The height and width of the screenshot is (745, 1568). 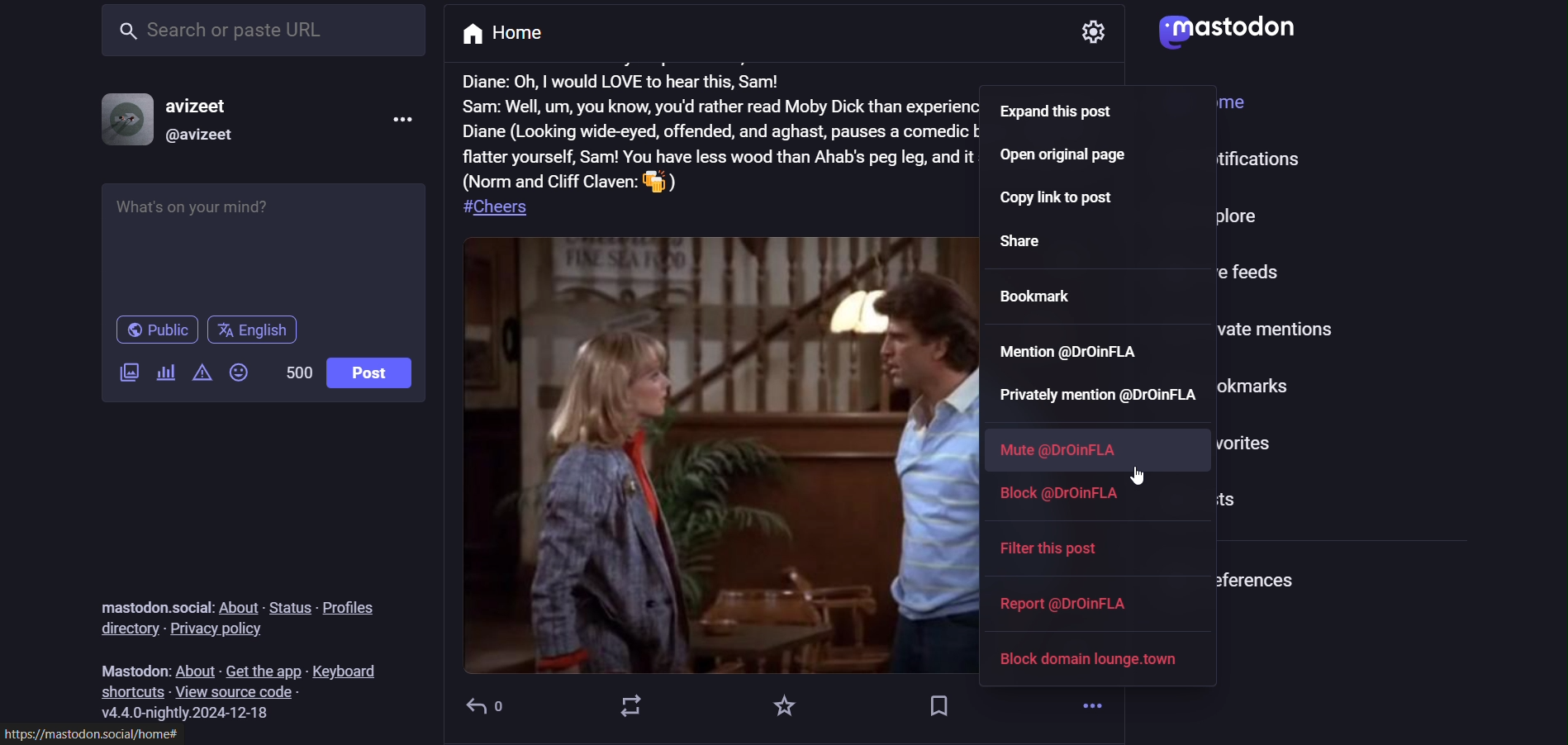 What do you see at coordinates (128, 667) in the screenshot?
I see `mastodon` at bounding box center [128, 667].